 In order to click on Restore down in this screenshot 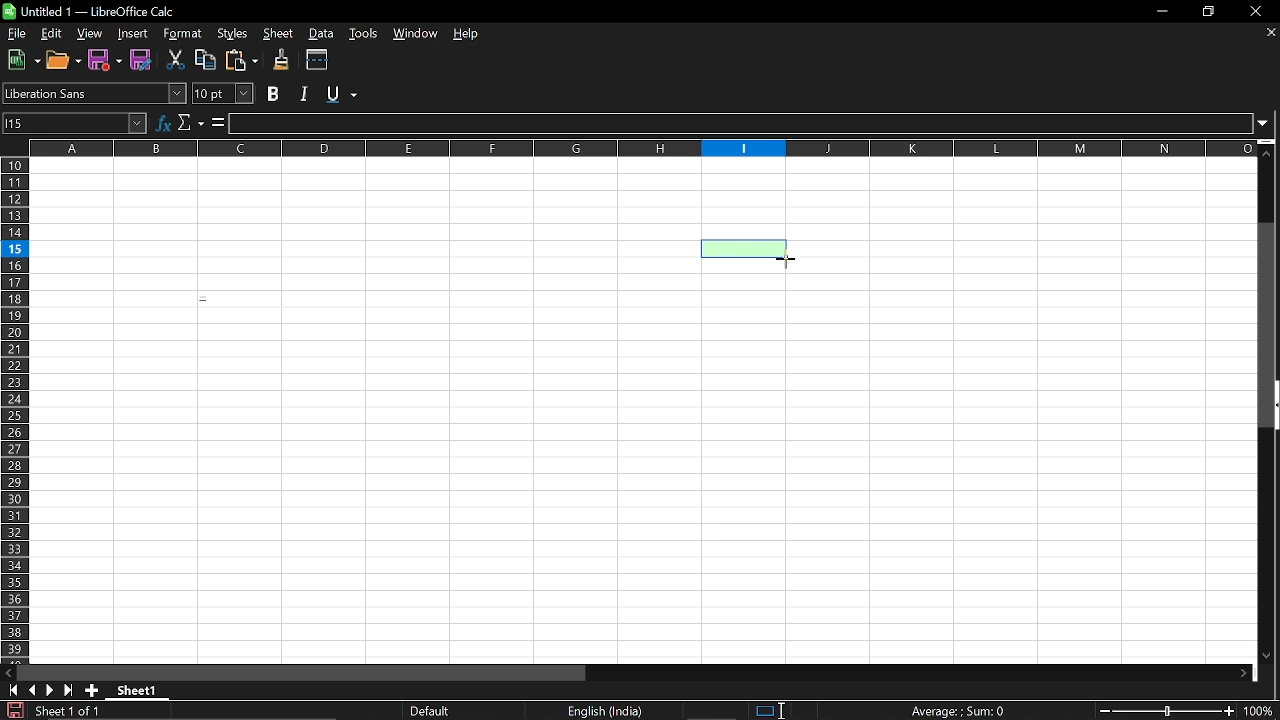, I will do `click(1210, 11)`.